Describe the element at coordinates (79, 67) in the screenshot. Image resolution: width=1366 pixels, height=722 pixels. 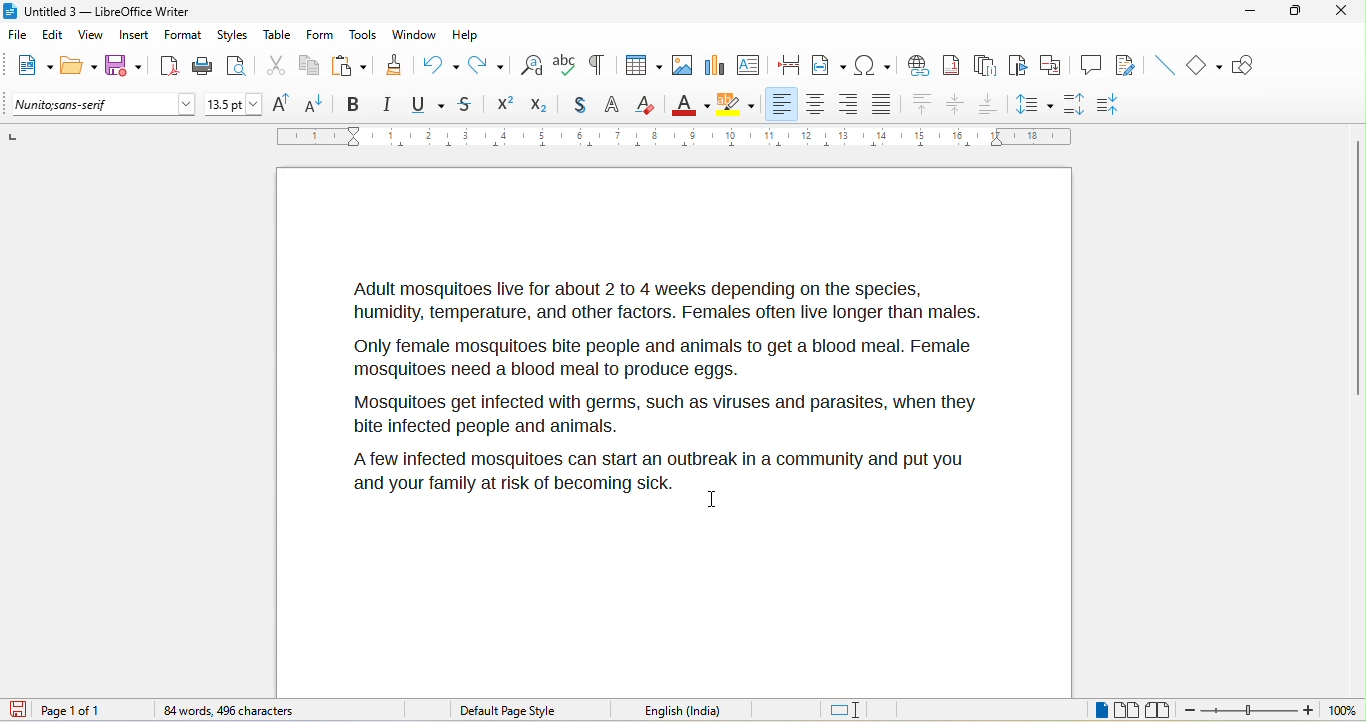
I see `open` at that location.